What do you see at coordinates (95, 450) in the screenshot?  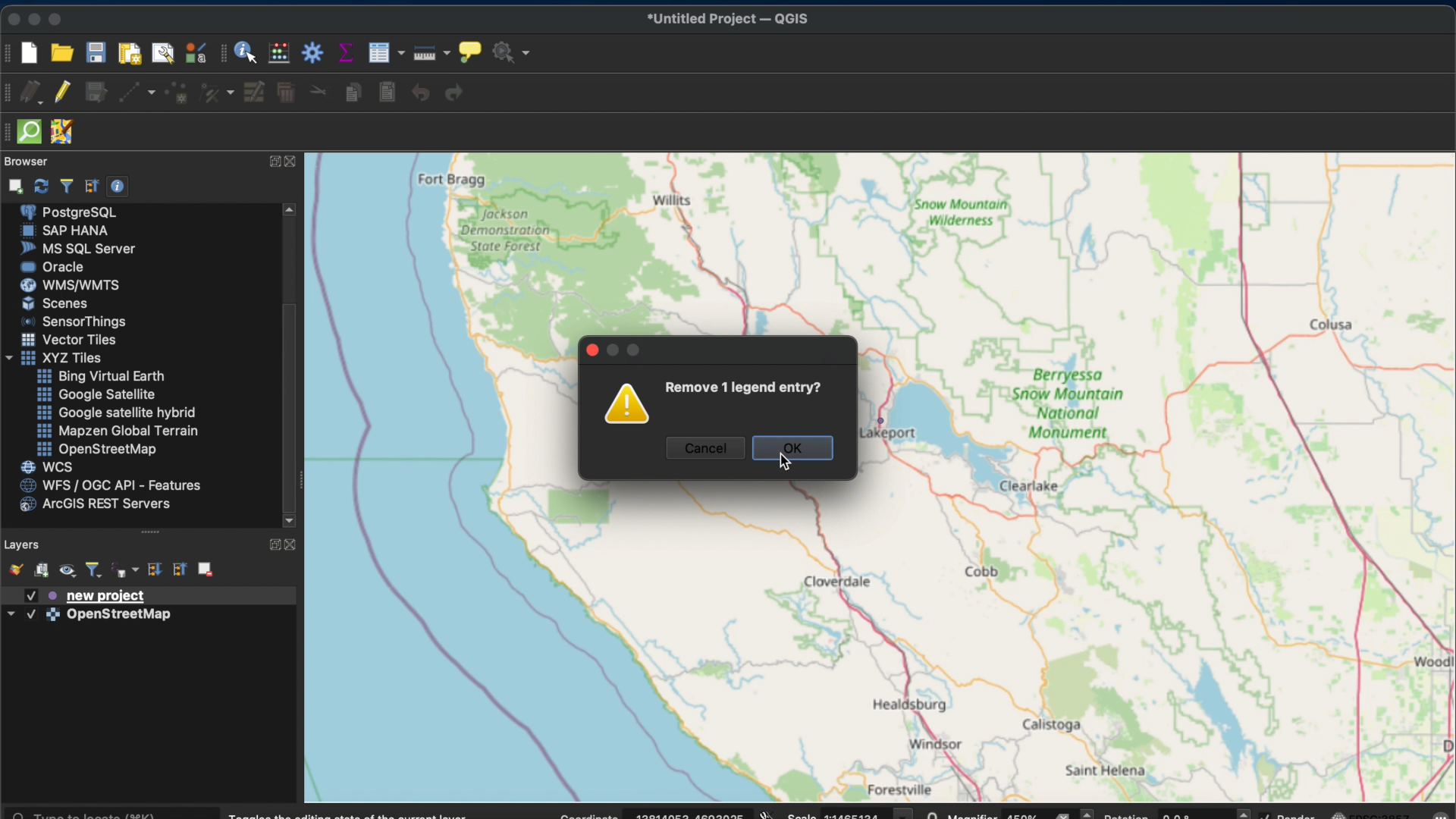 I see `openstreetmap` at bounding box center [95, 450].